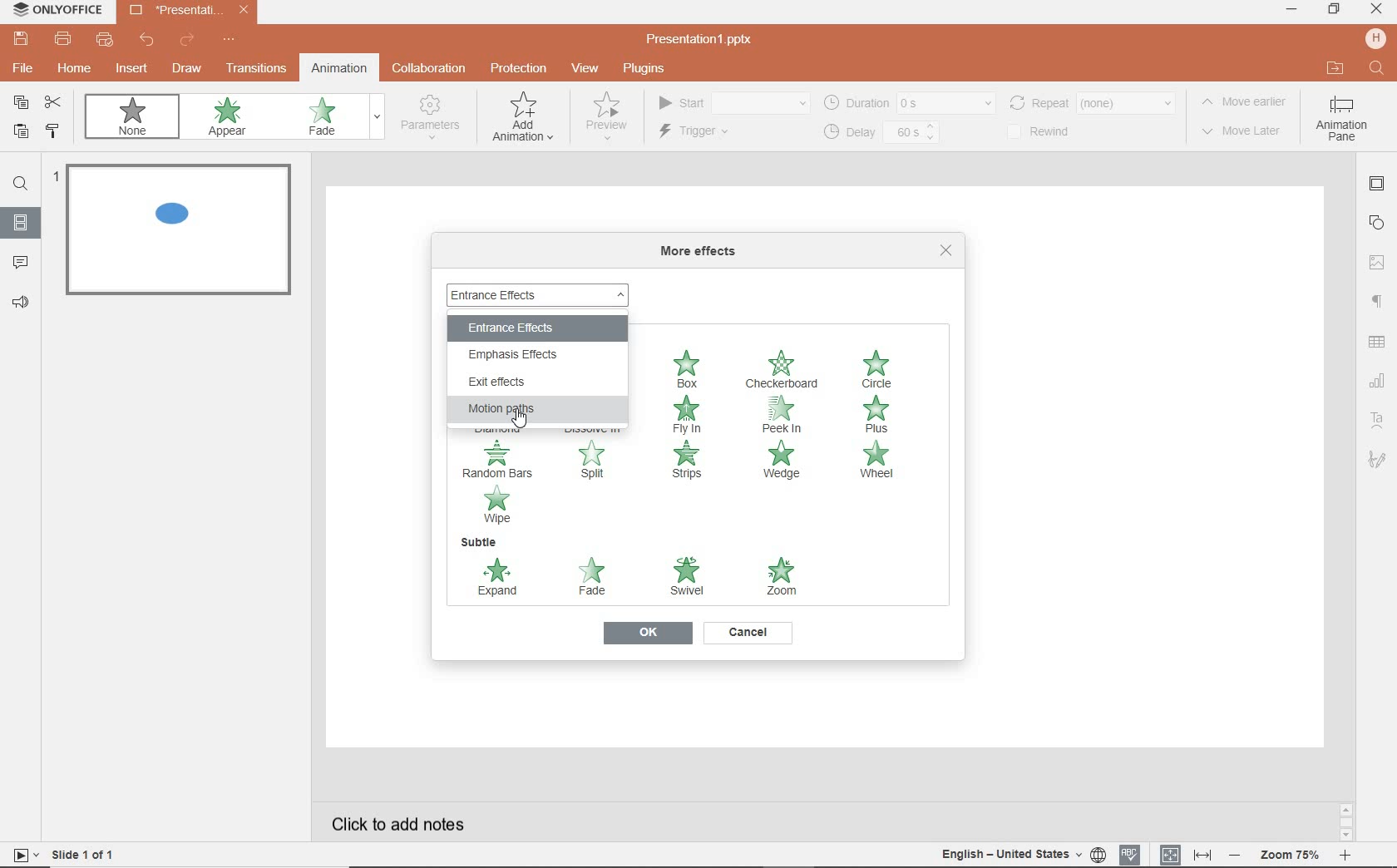 The width and height of the screenshot is (1397, 868). What do you see at coordinates (688, 415) in the screenshot?
I see `FLY IN` at bounding box center [688, 415].